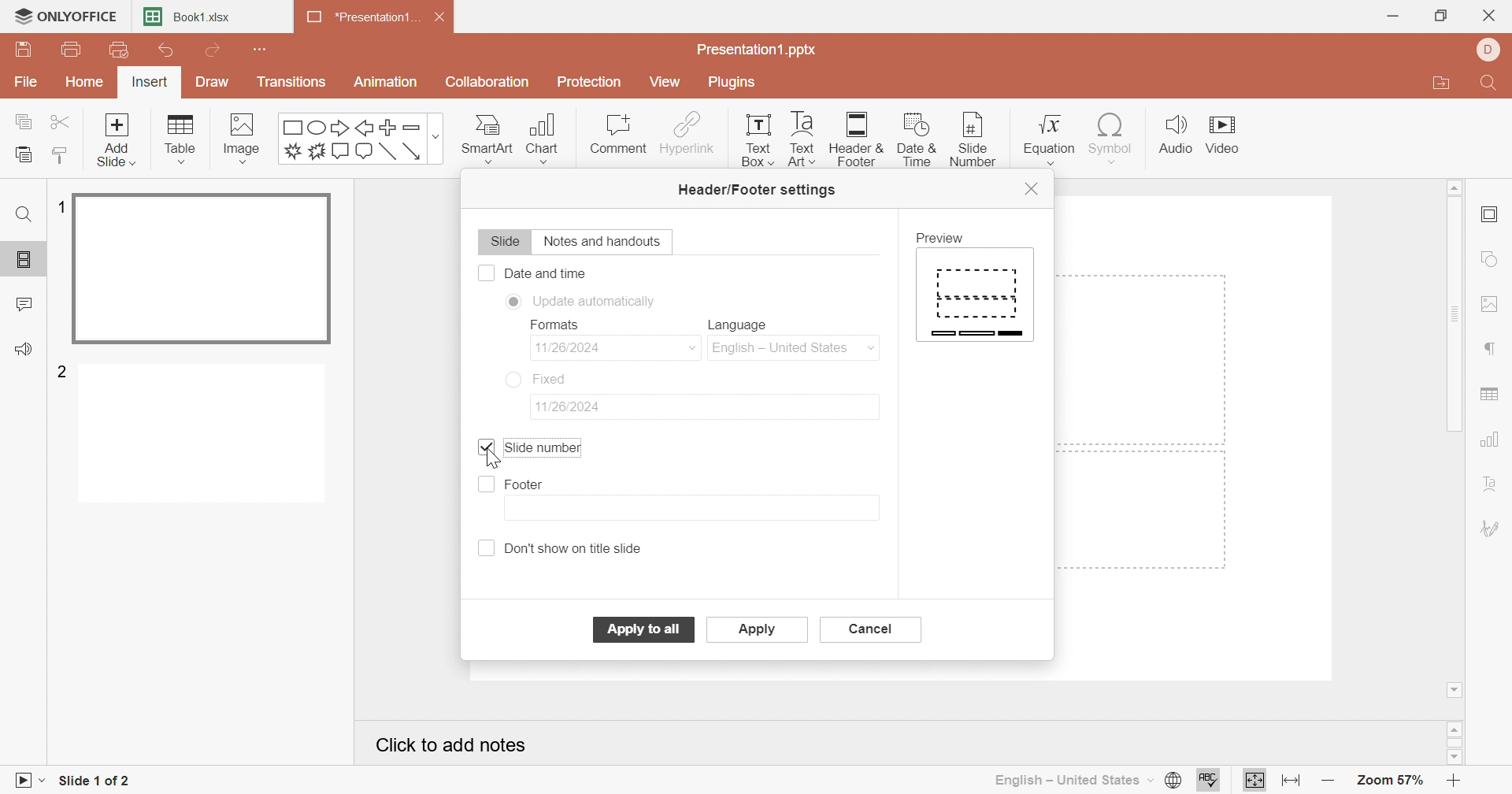 The width and height of the screenshot is (1512, 794). I want to click on Paragraph settings, so click(1492, 350).